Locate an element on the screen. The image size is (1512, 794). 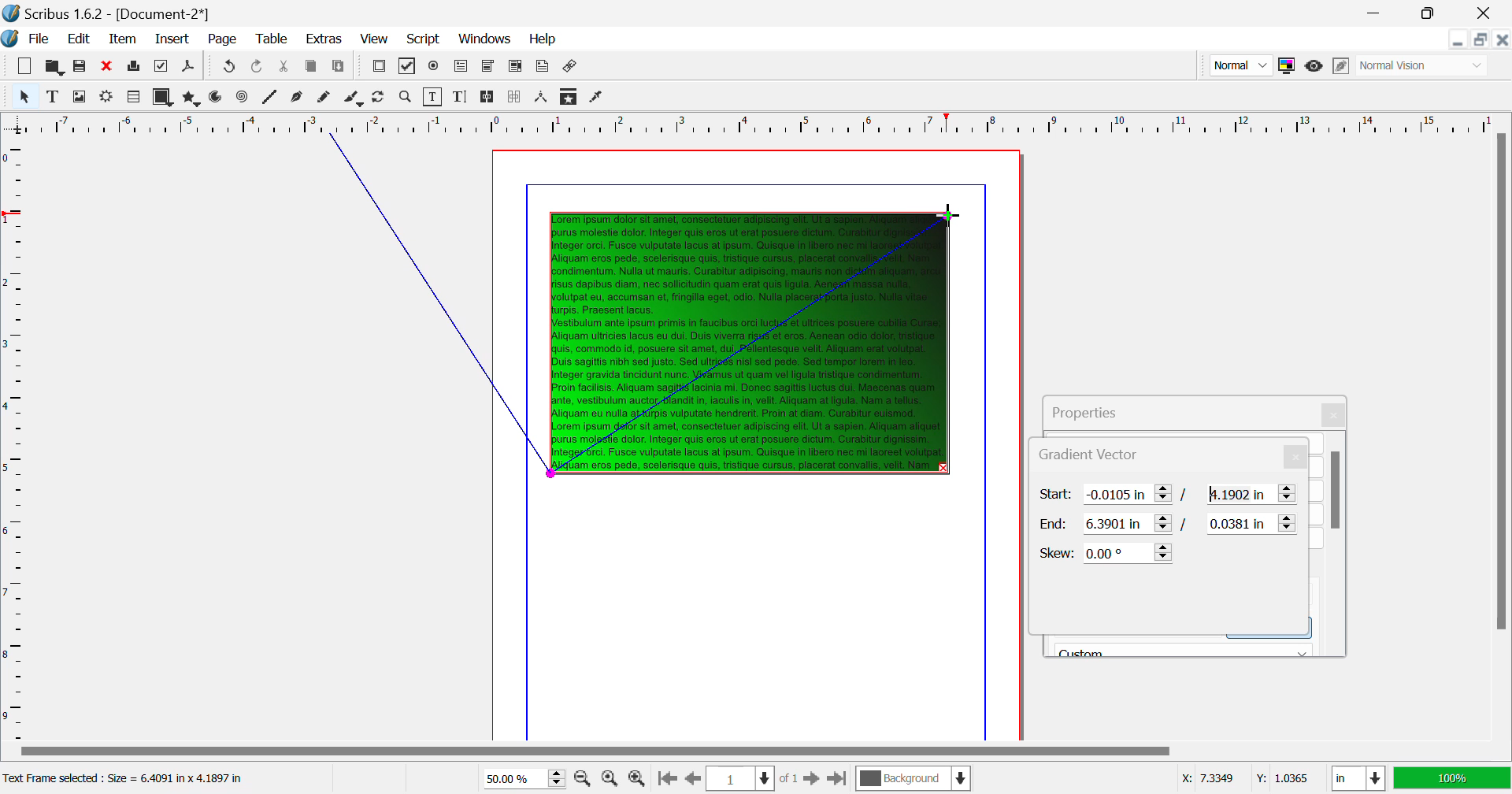
Vertical Page Margin is located at coordinates (780, 123).